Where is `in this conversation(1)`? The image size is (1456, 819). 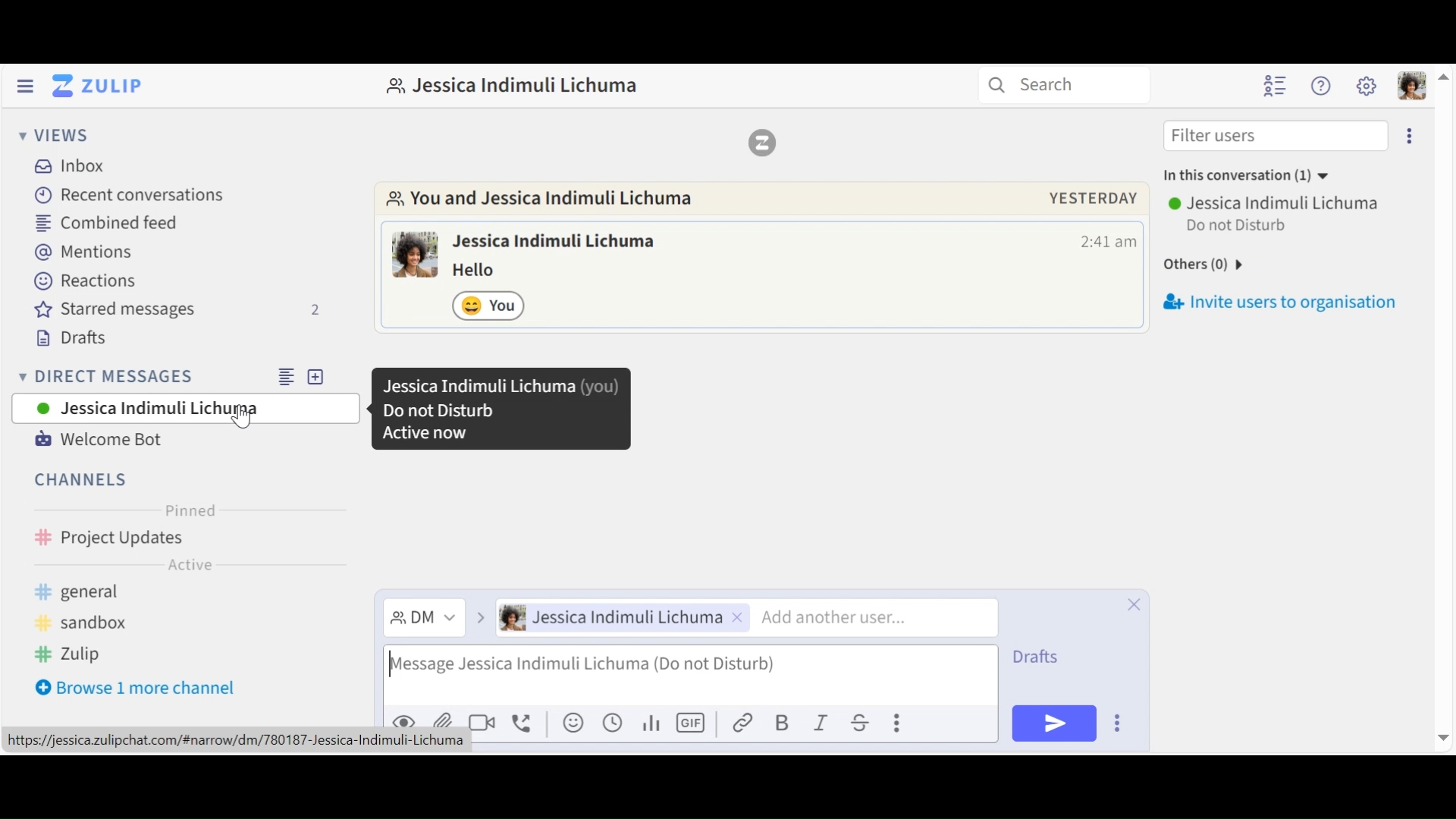
in this conversation(1) is located at coordinates (1260, 177).